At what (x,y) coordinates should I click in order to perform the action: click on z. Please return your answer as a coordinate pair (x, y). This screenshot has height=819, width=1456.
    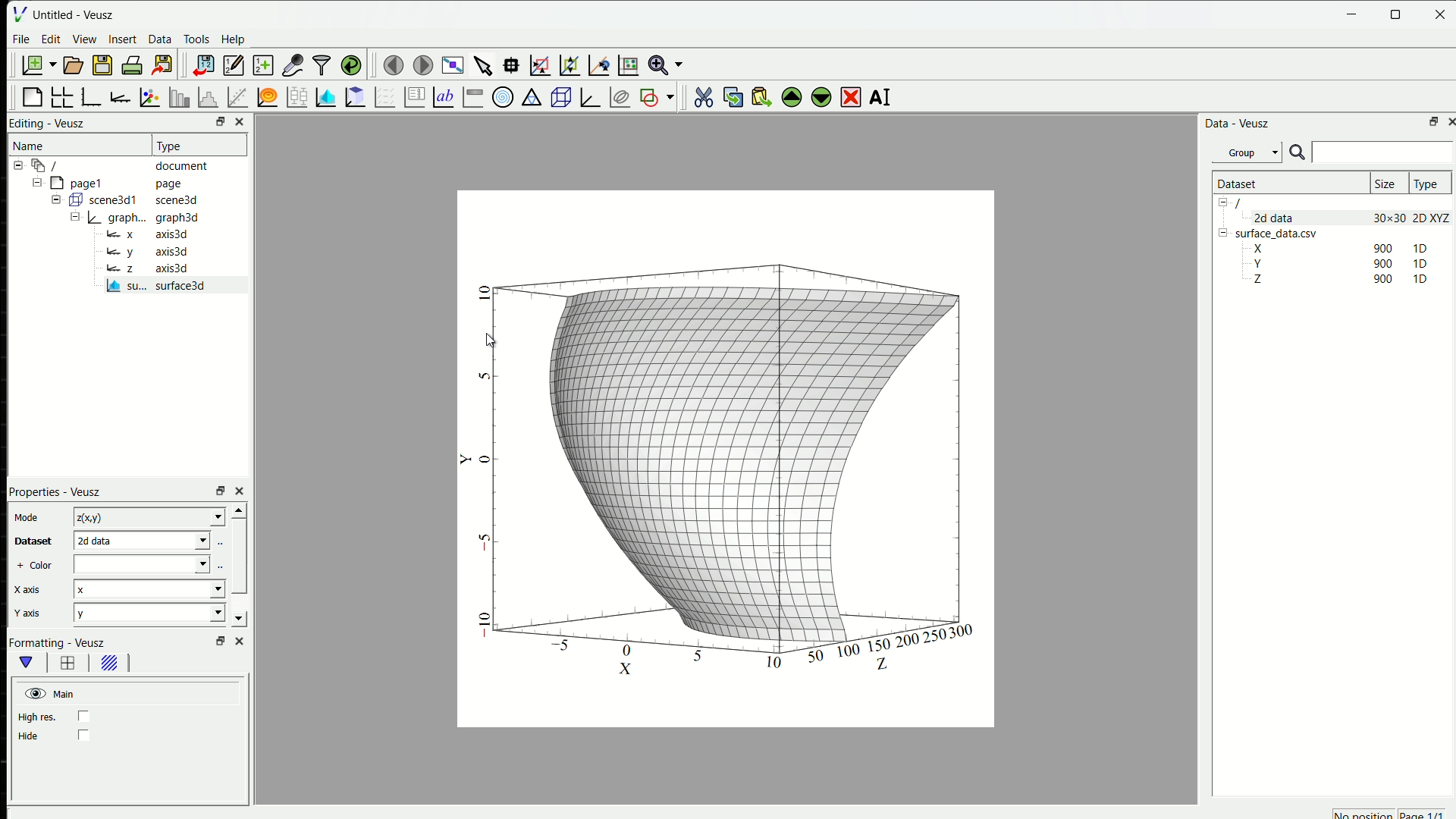
    Looking at the image, I should click on (121, 268).